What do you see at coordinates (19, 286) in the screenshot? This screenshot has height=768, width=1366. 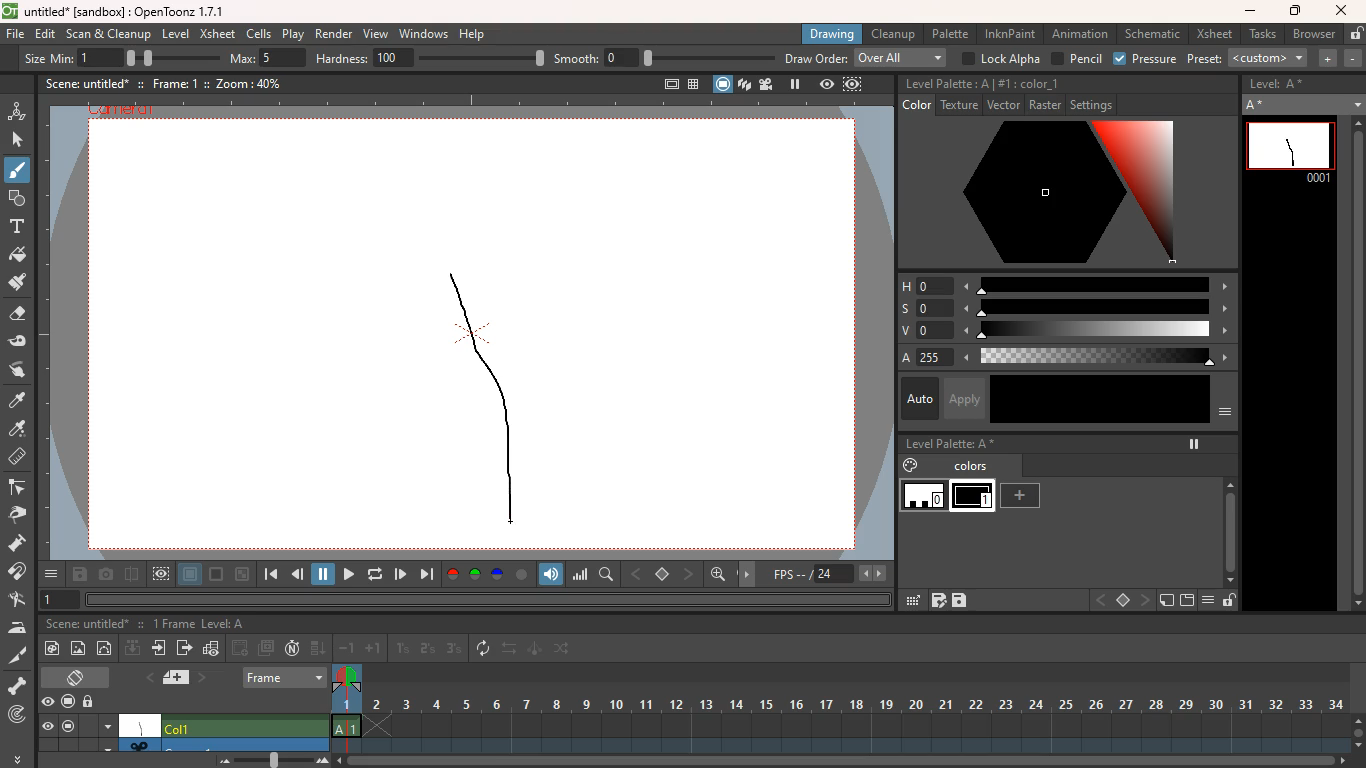 I see `paint` at bounding box center [19, 286].